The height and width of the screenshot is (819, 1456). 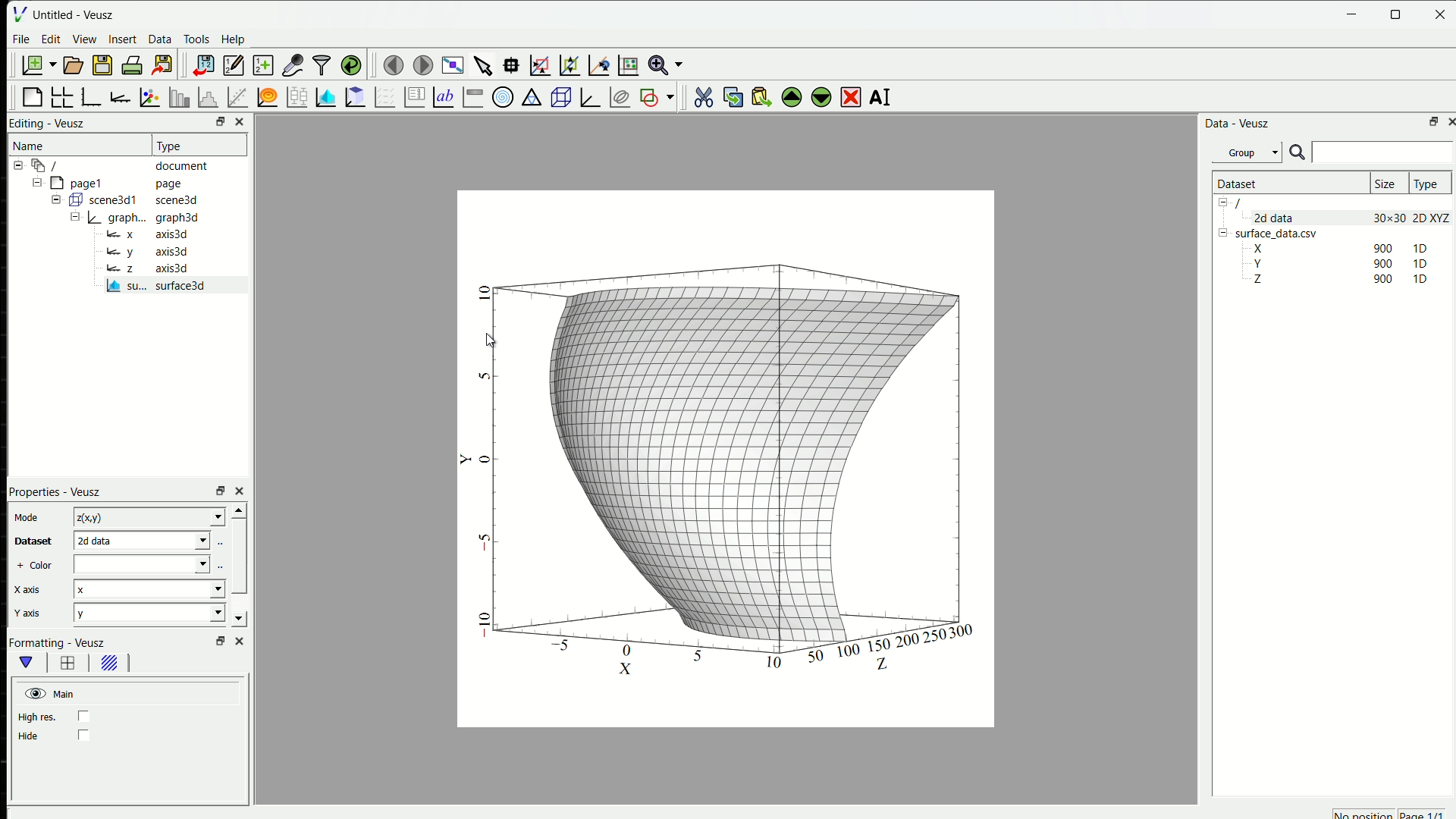 I want to click on X axis, so click(x=27, y=589).